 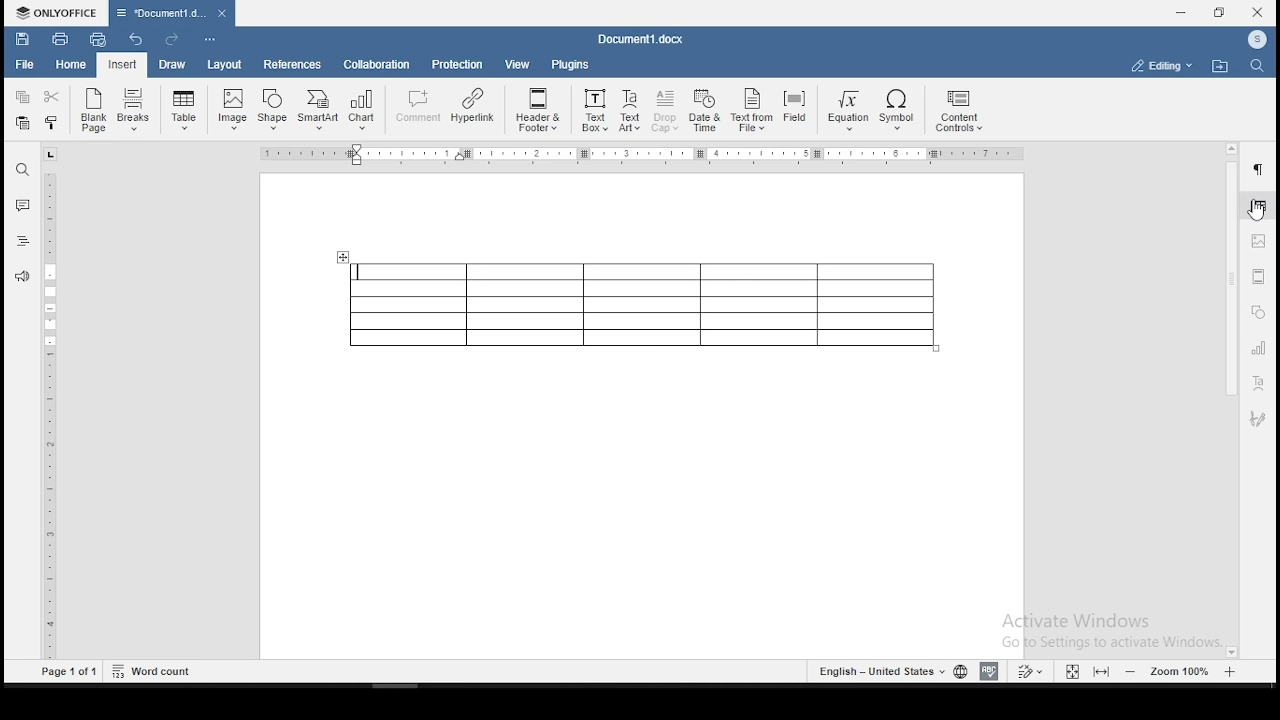 What do you see at coordinates (1220, 66) in the screenshot?
I see `open file location` at bounding box center [1220, 66].